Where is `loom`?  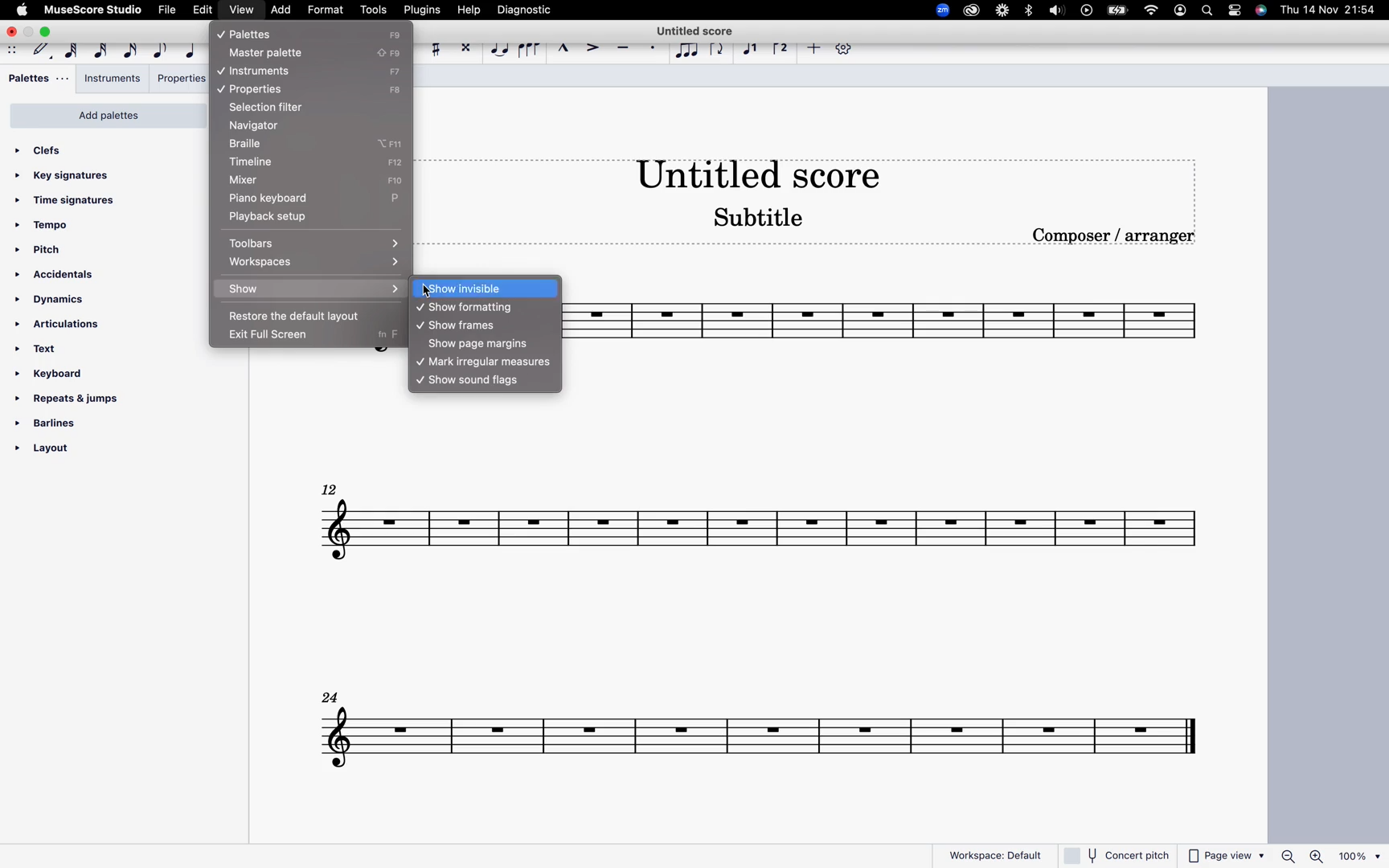 loom is located at coordinates (1002, 12).